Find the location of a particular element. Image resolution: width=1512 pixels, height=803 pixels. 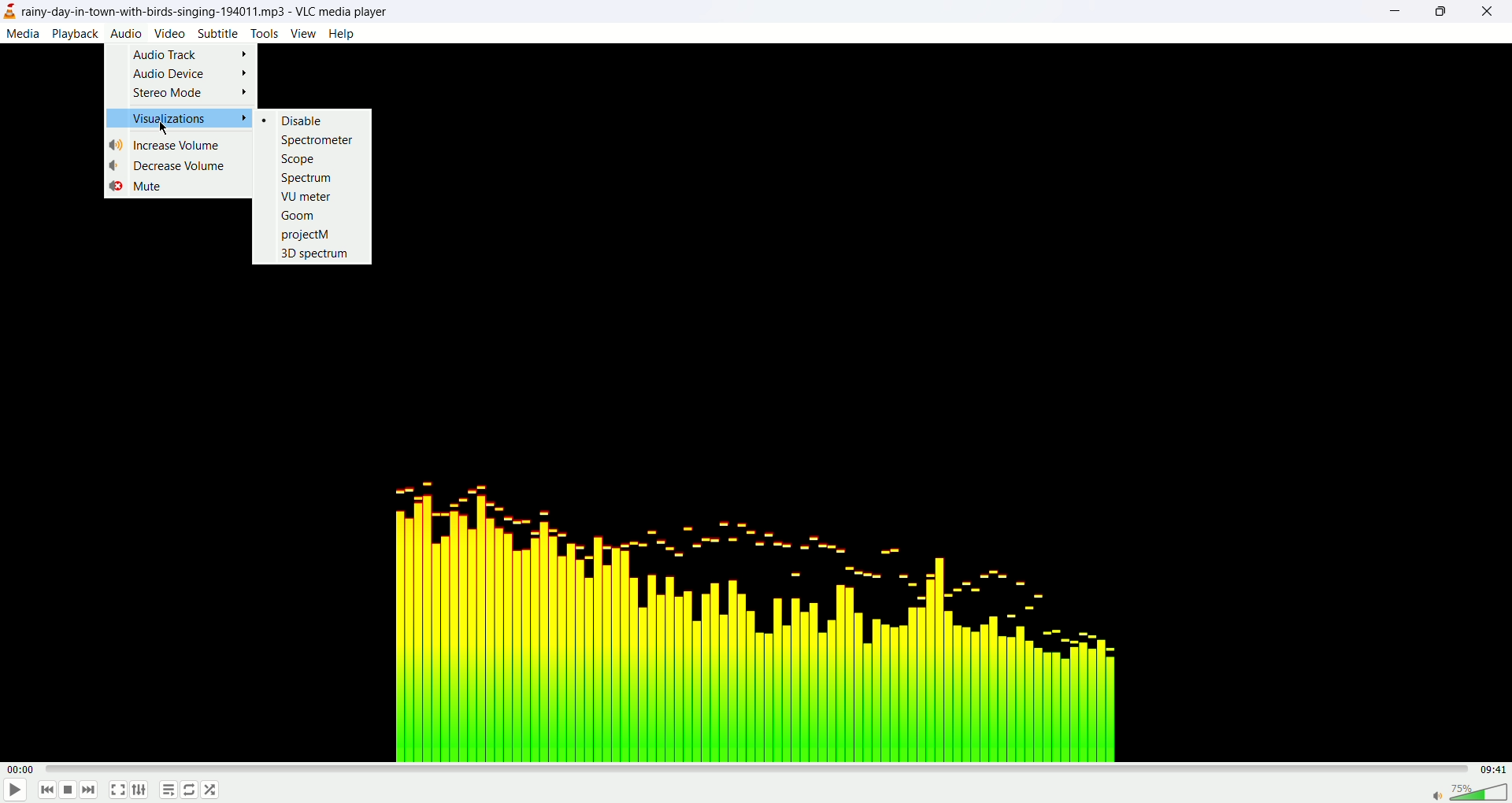

stereo mode is located at coordinates (186, 94).